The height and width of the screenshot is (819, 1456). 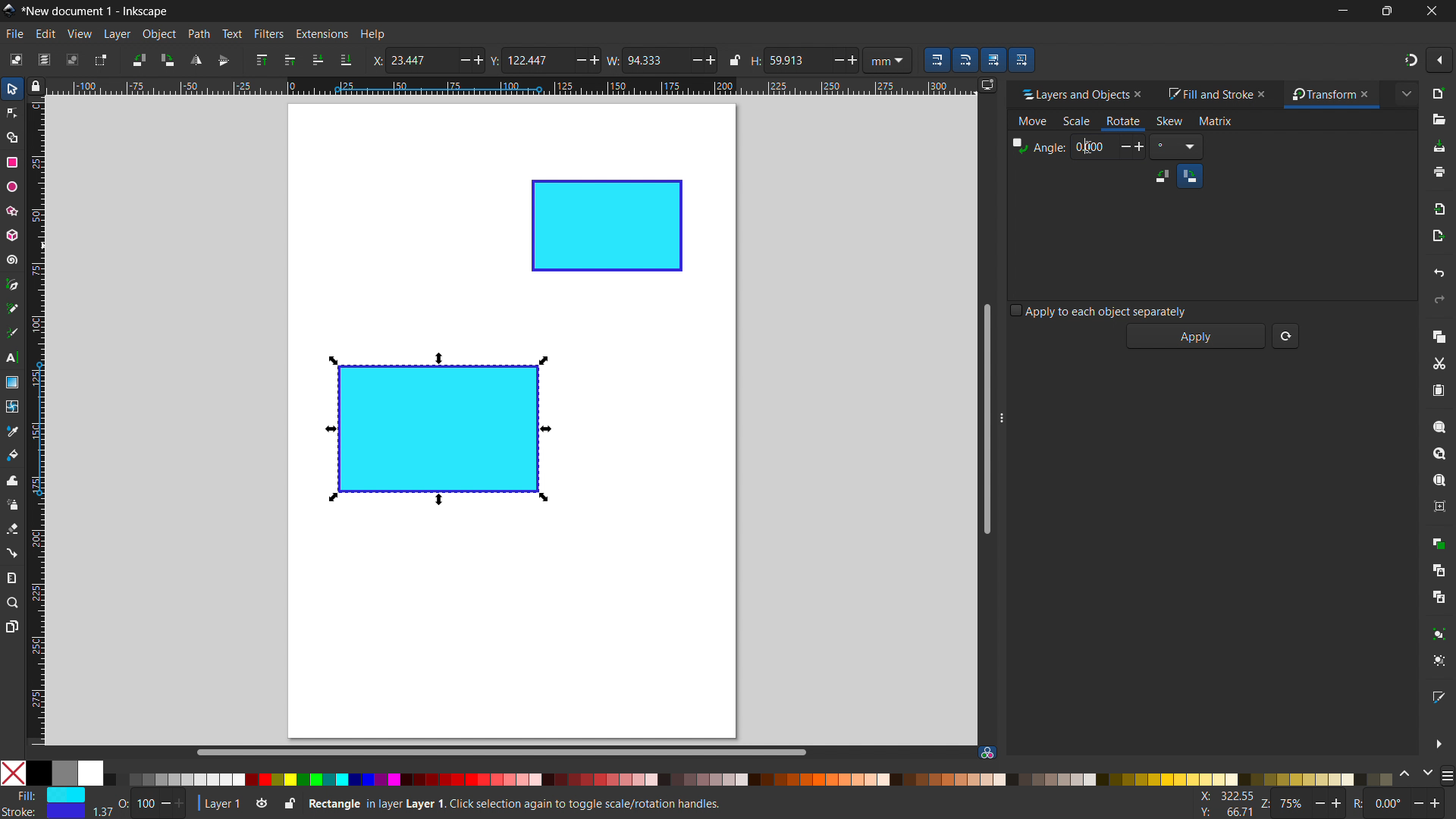 I want to click on caligraphy tool, so click(x=11, y=332).